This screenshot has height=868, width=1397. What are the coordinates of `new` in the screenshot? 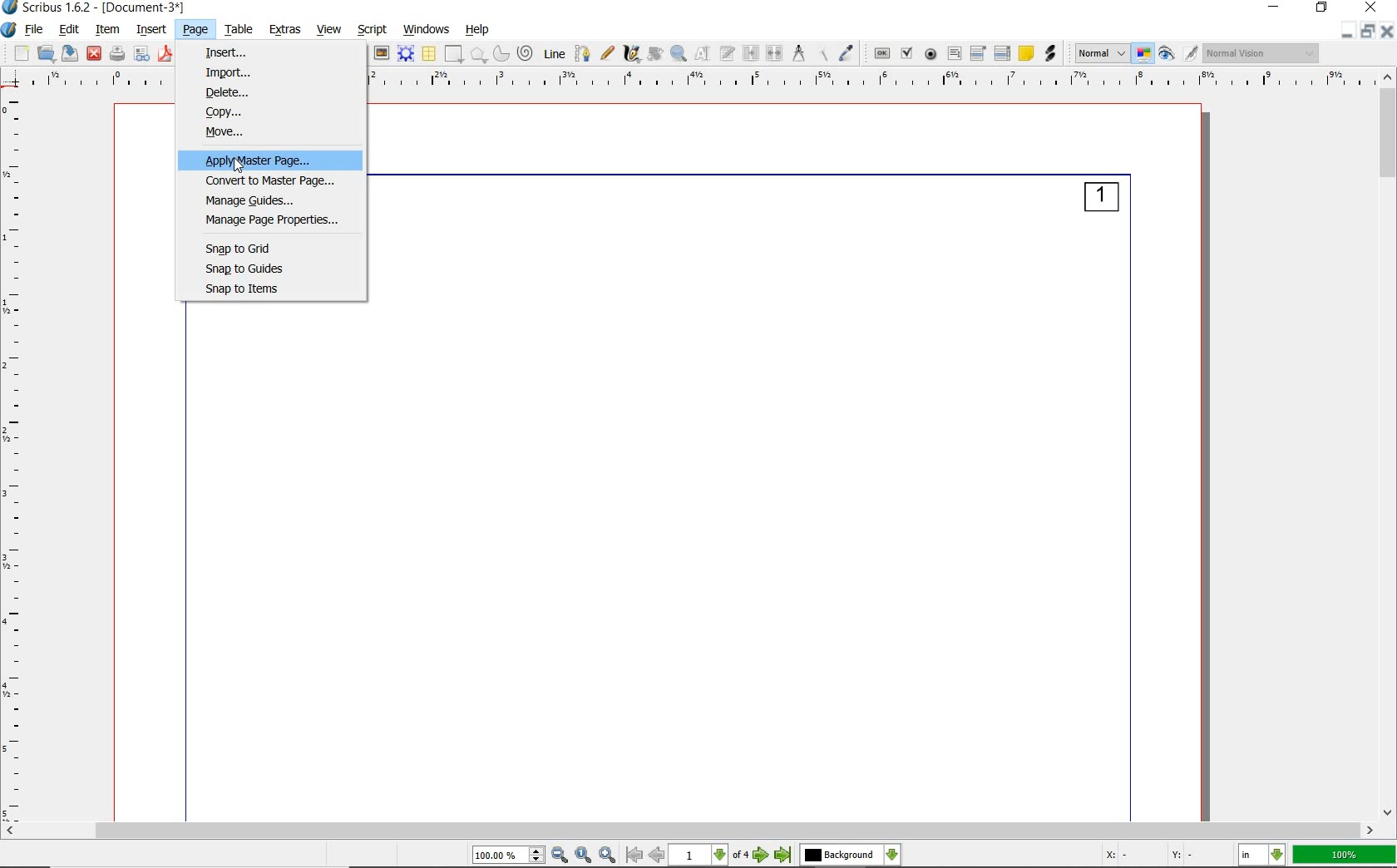 It's located at (21, 52).